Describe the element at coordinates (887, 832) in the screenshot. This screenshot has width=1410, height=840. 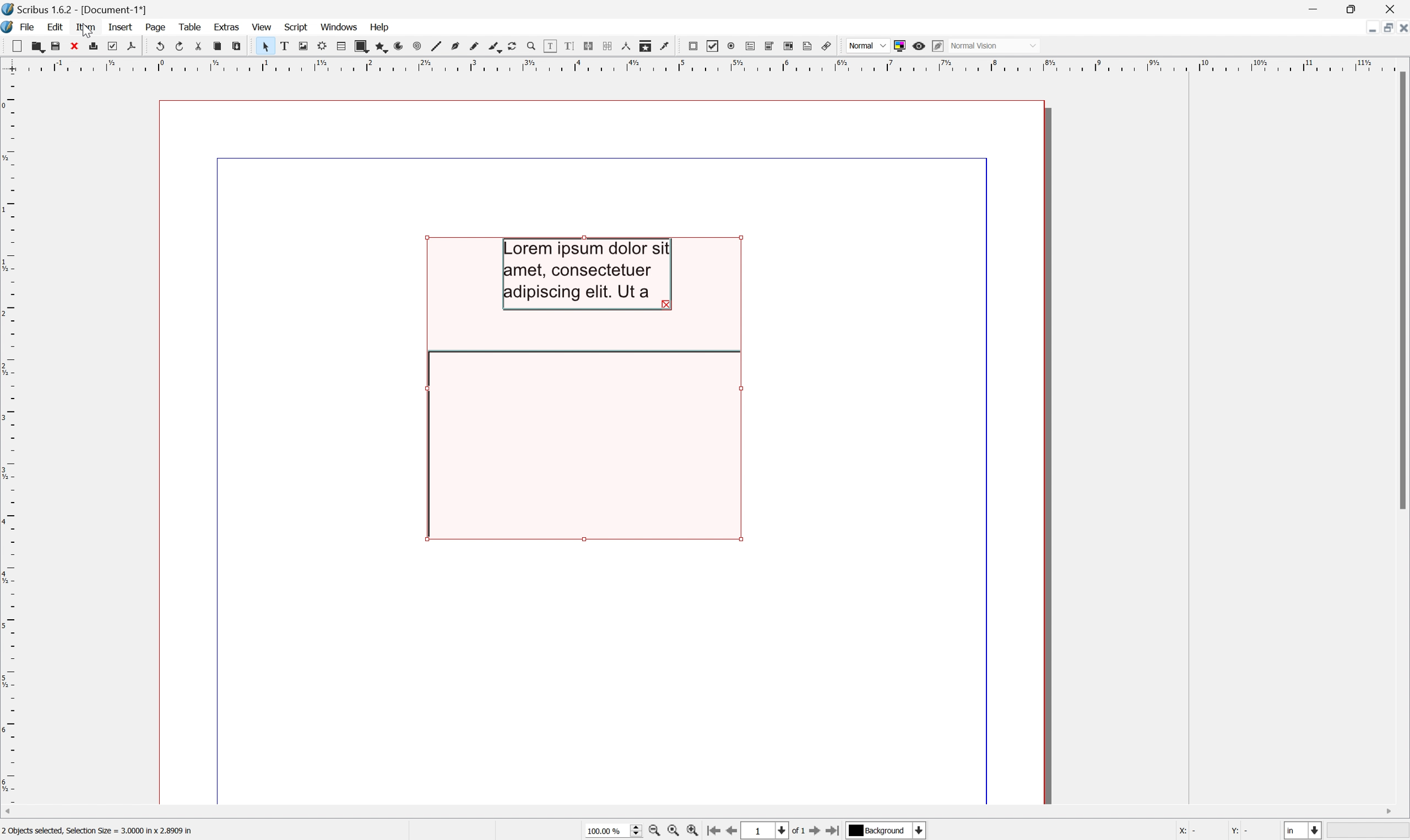
I see `Select the current payer` at that location.